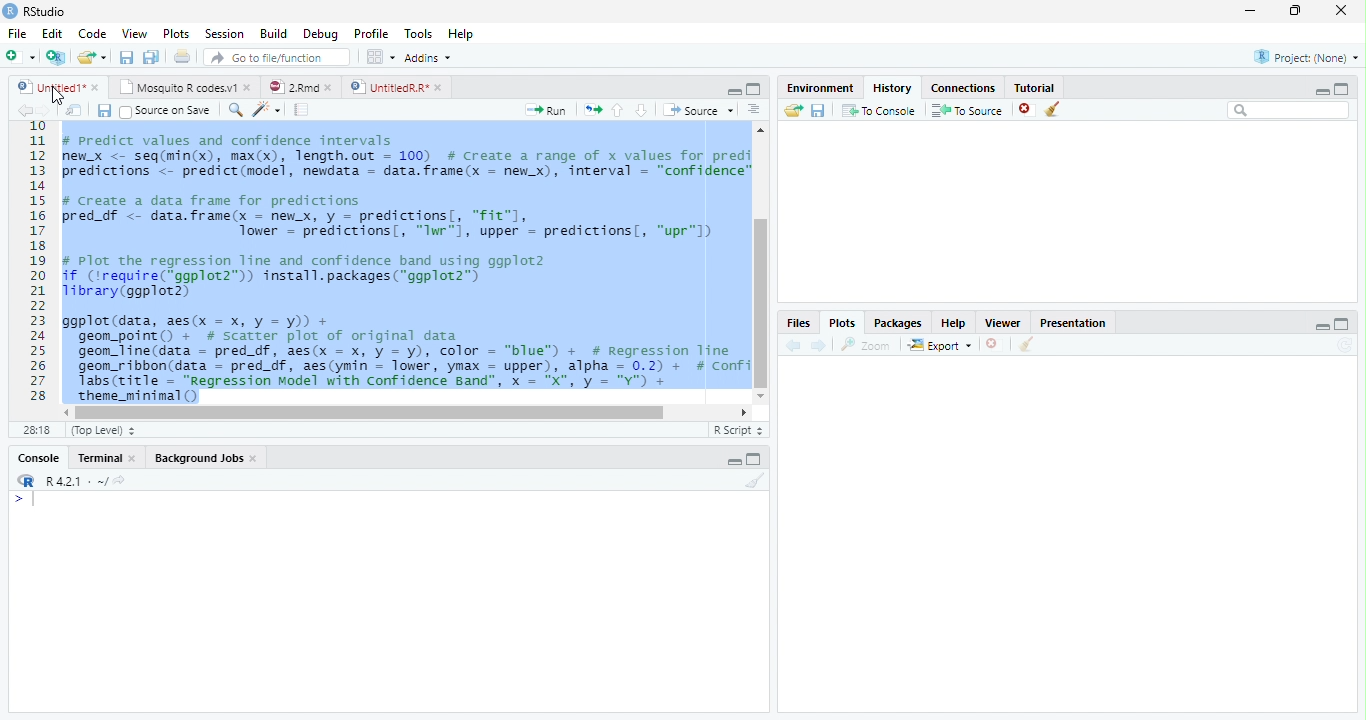  Describe the element at coordinates (106, 111) in the screenshot. I see `Save ` at that location.